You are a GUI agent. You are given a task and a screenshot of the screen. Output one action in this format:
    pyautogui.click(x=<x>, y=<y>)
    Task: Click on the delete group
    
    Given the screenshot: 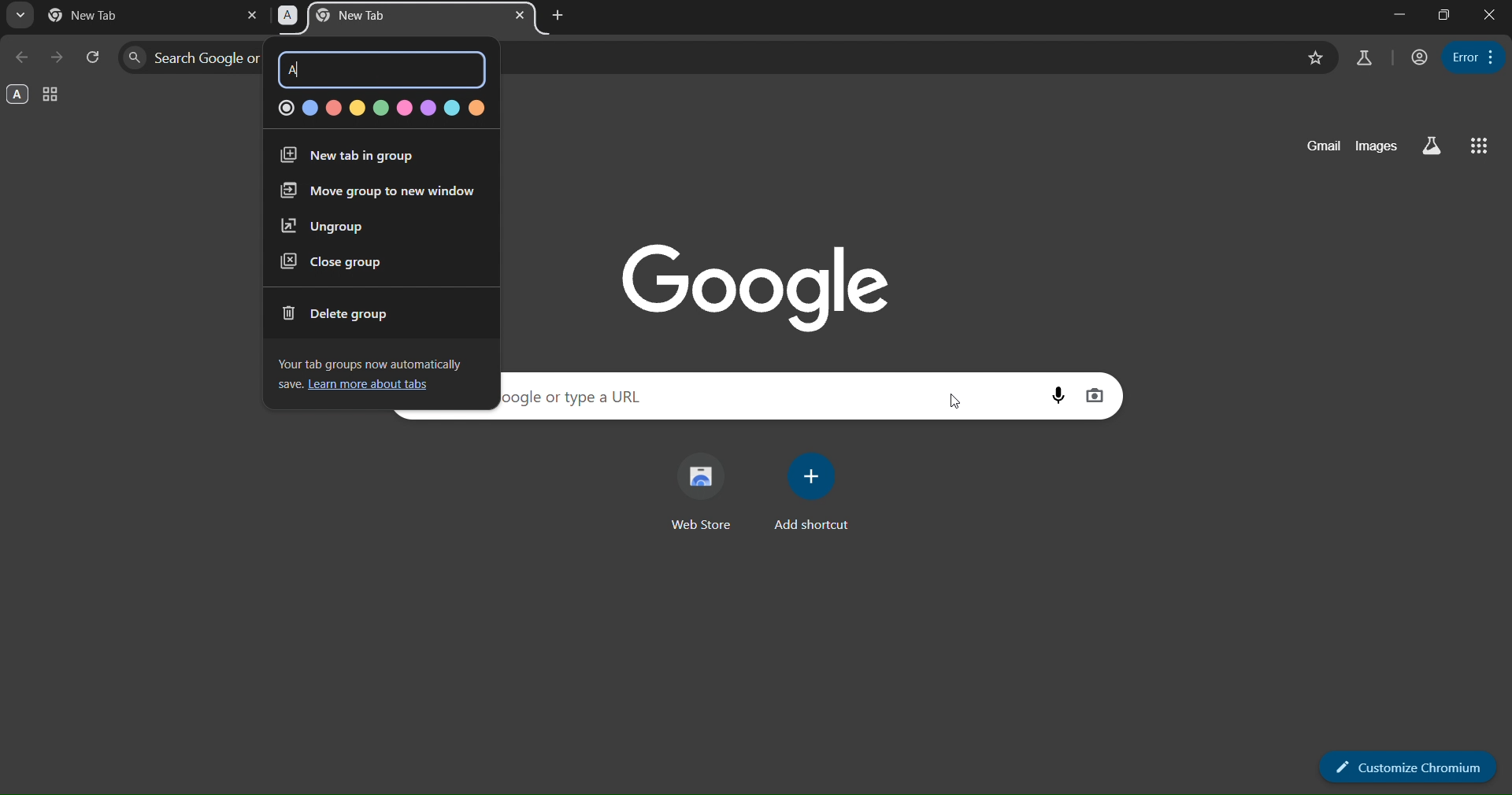 What is the action you would take?
    pyautogui.click(x=339, y=315)
    